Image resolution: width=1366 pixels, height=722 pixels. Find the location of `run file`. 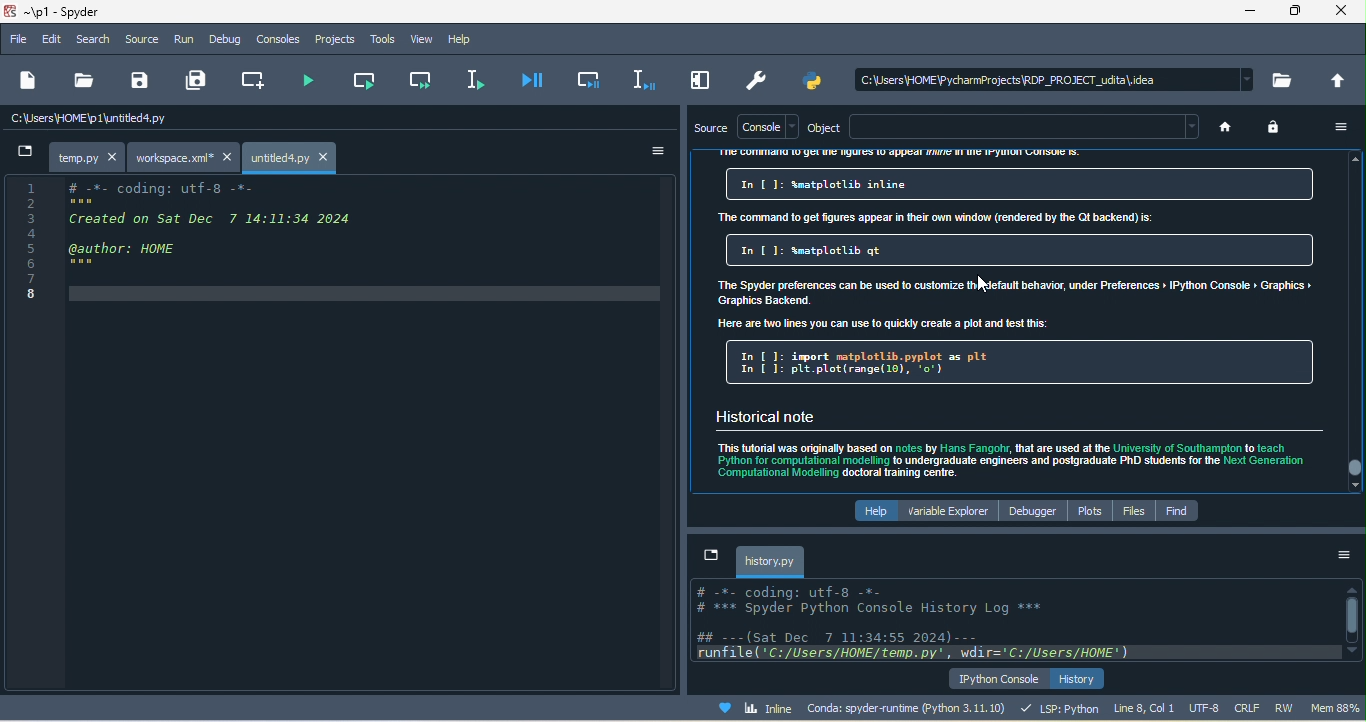

run file is located at coordinates (308, 83).